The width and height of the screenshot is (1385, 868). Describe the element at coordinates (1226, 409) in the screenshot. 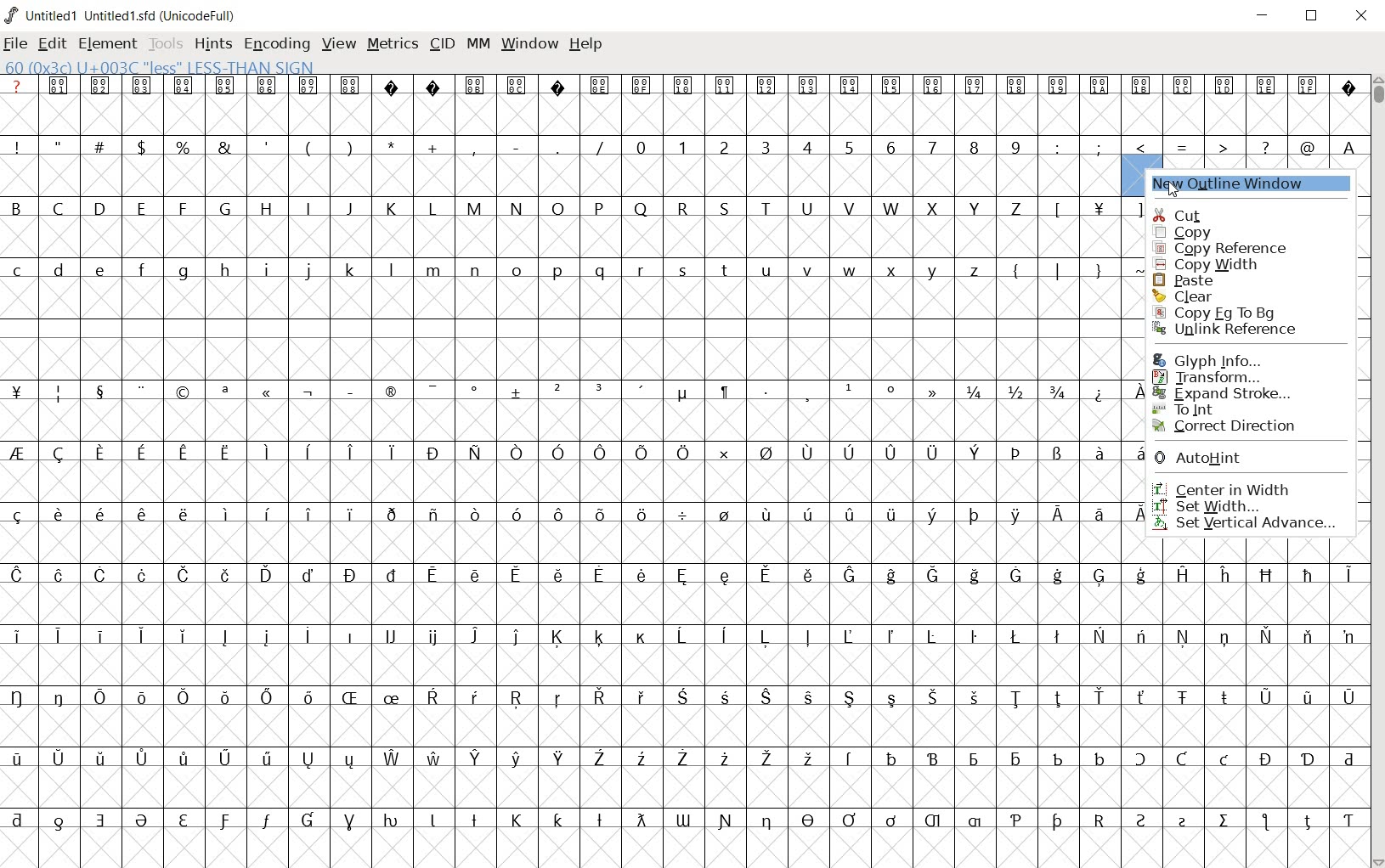

I see `To Int` at that location.